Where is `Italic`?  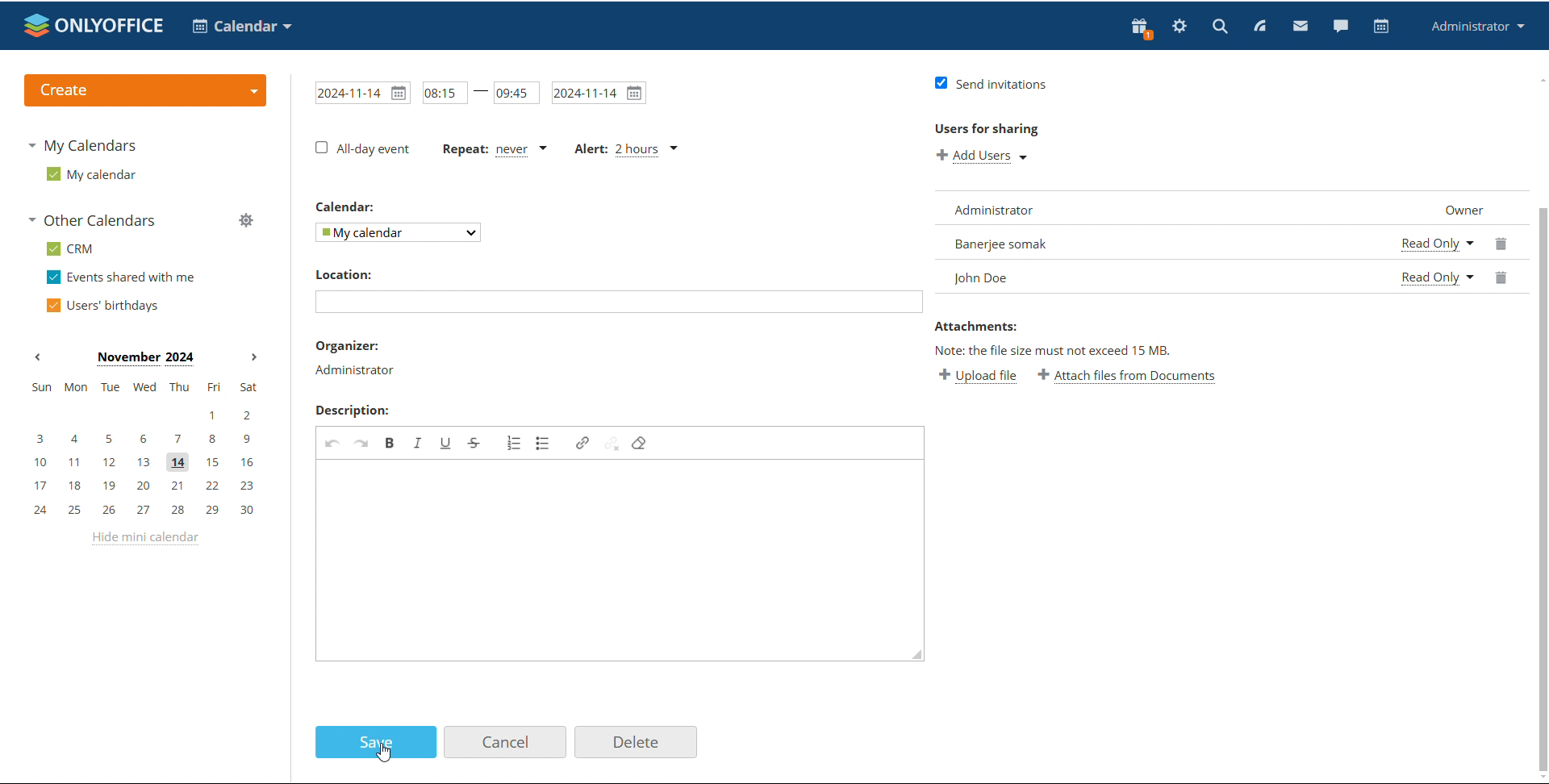 Italic is located at coordinates (416, 443).